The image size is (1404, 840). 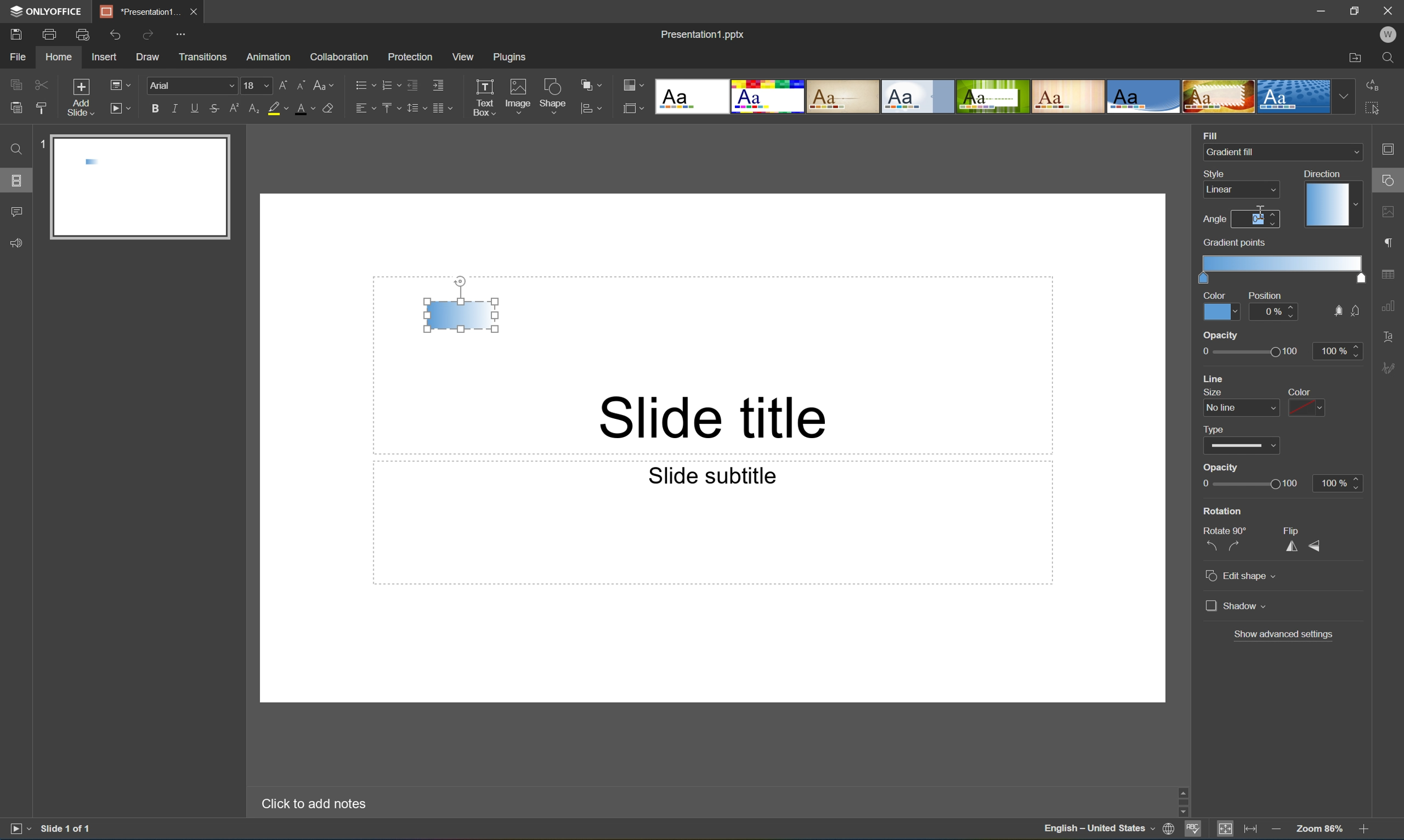 What do you see at coordinates (1372, 83) in the screenshot?
I see `Replace` at bounding box center [1372, 83].